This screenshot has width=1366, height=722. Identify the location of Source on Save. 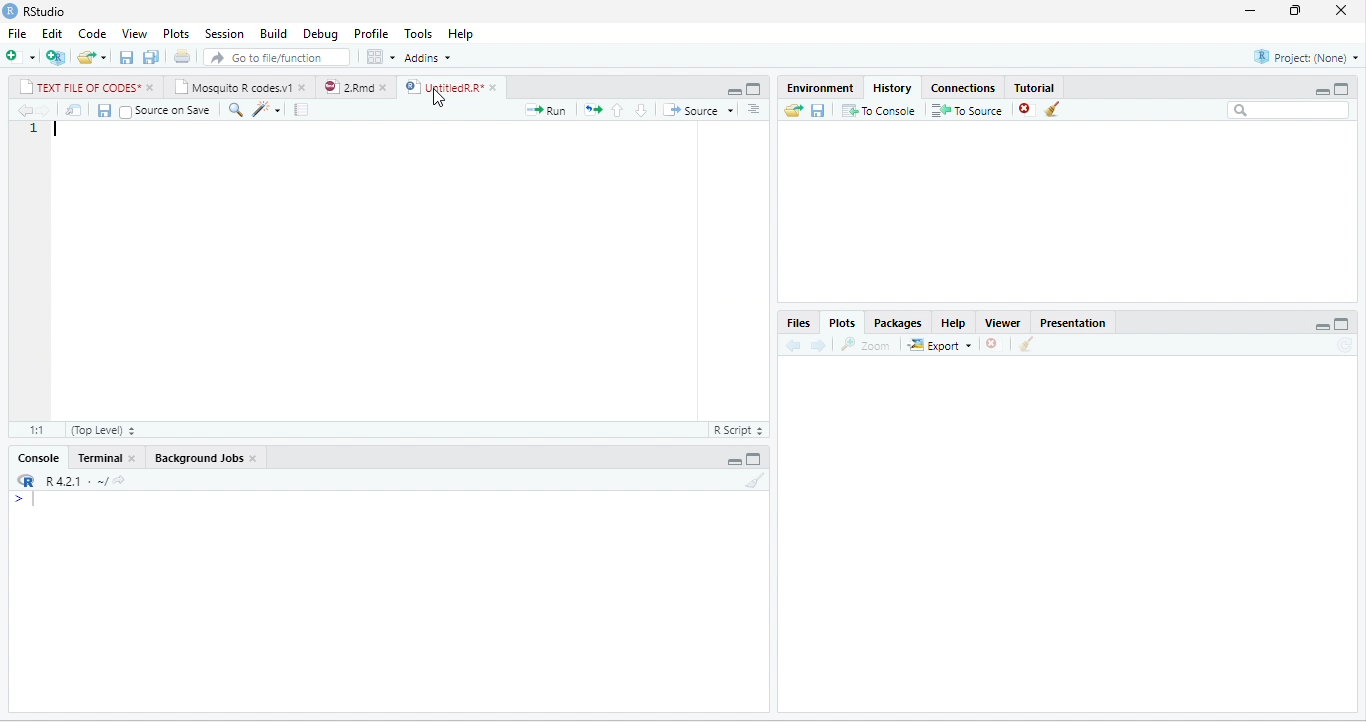
(164, 111).